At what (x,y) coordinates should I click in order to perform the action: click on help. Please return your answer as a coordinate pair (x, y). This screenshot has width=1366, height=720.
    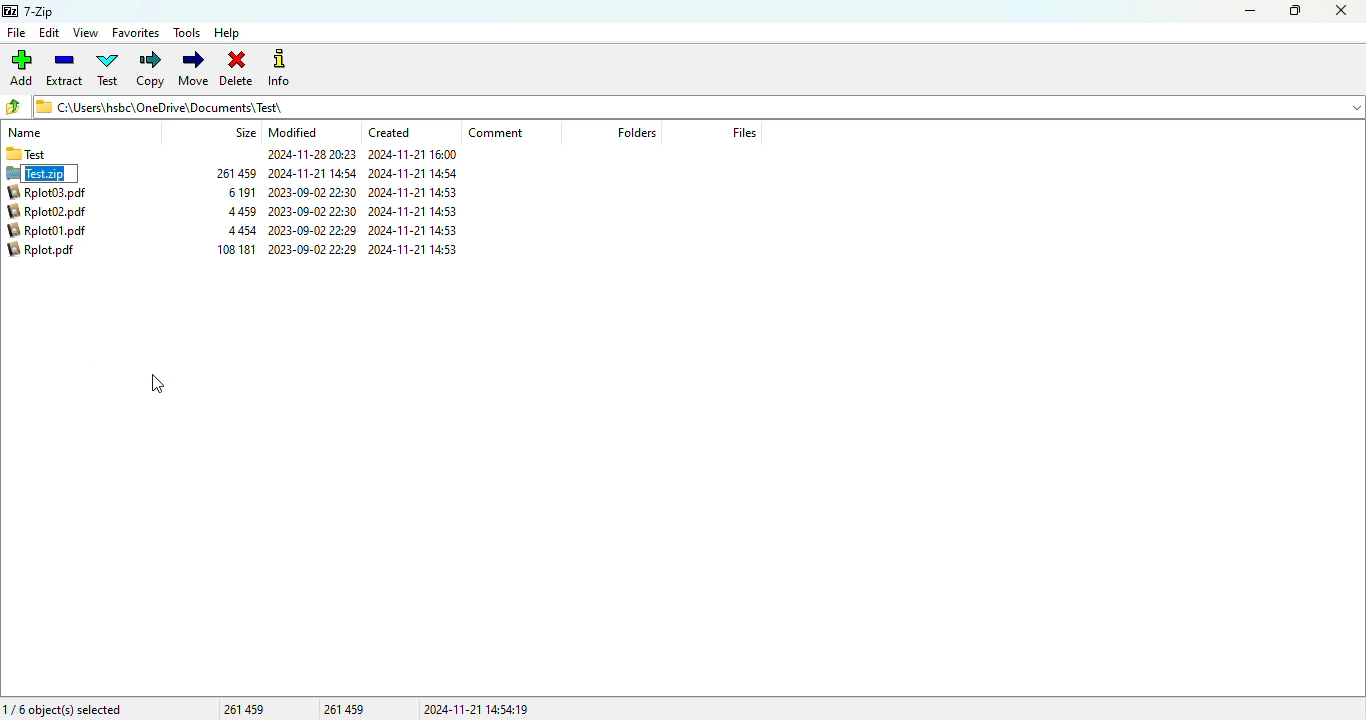
    Looking at the image, I should click on (228, 33).